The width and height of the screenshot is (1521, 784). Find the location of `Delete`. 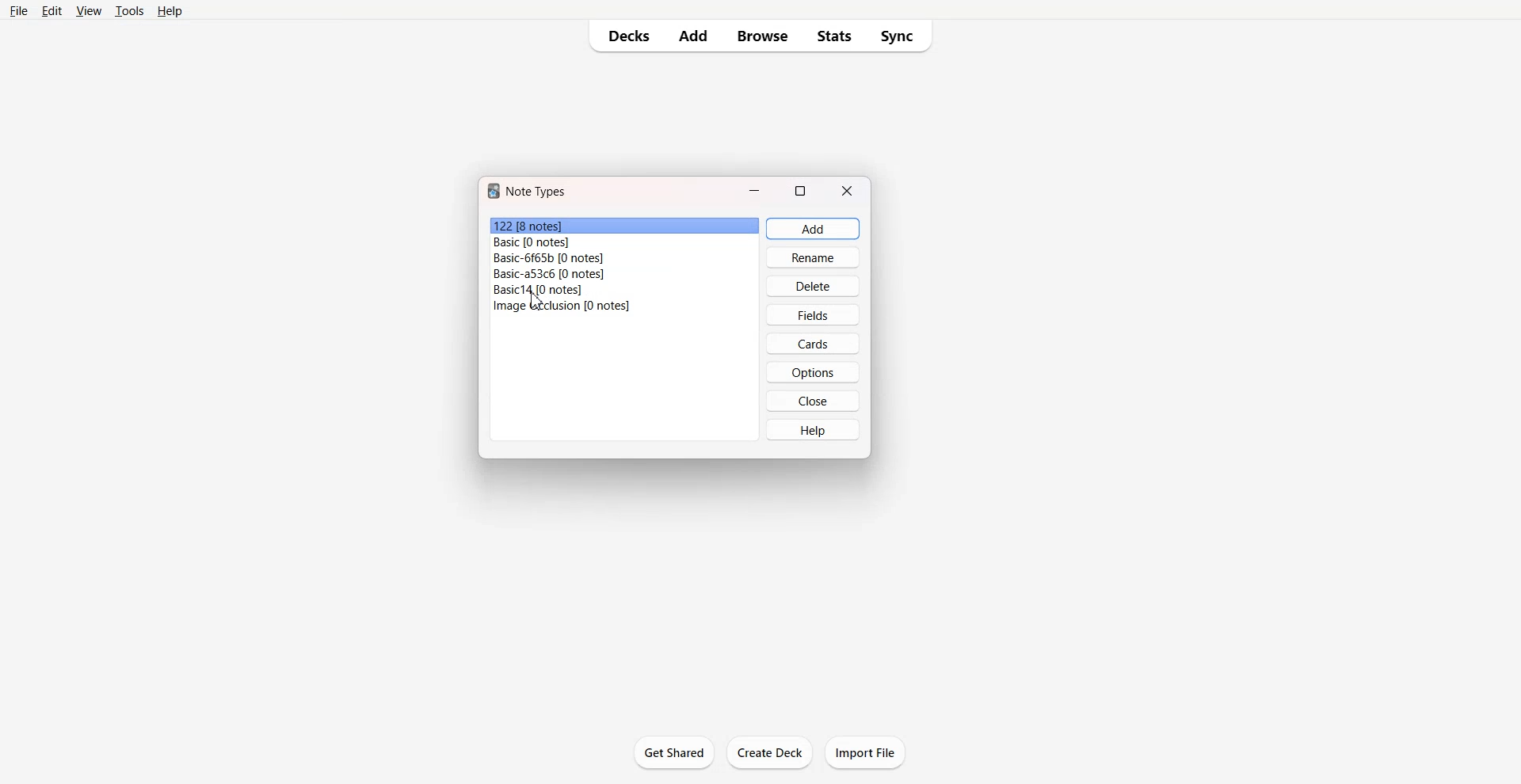

Delete is located at coordinates (814, 286).